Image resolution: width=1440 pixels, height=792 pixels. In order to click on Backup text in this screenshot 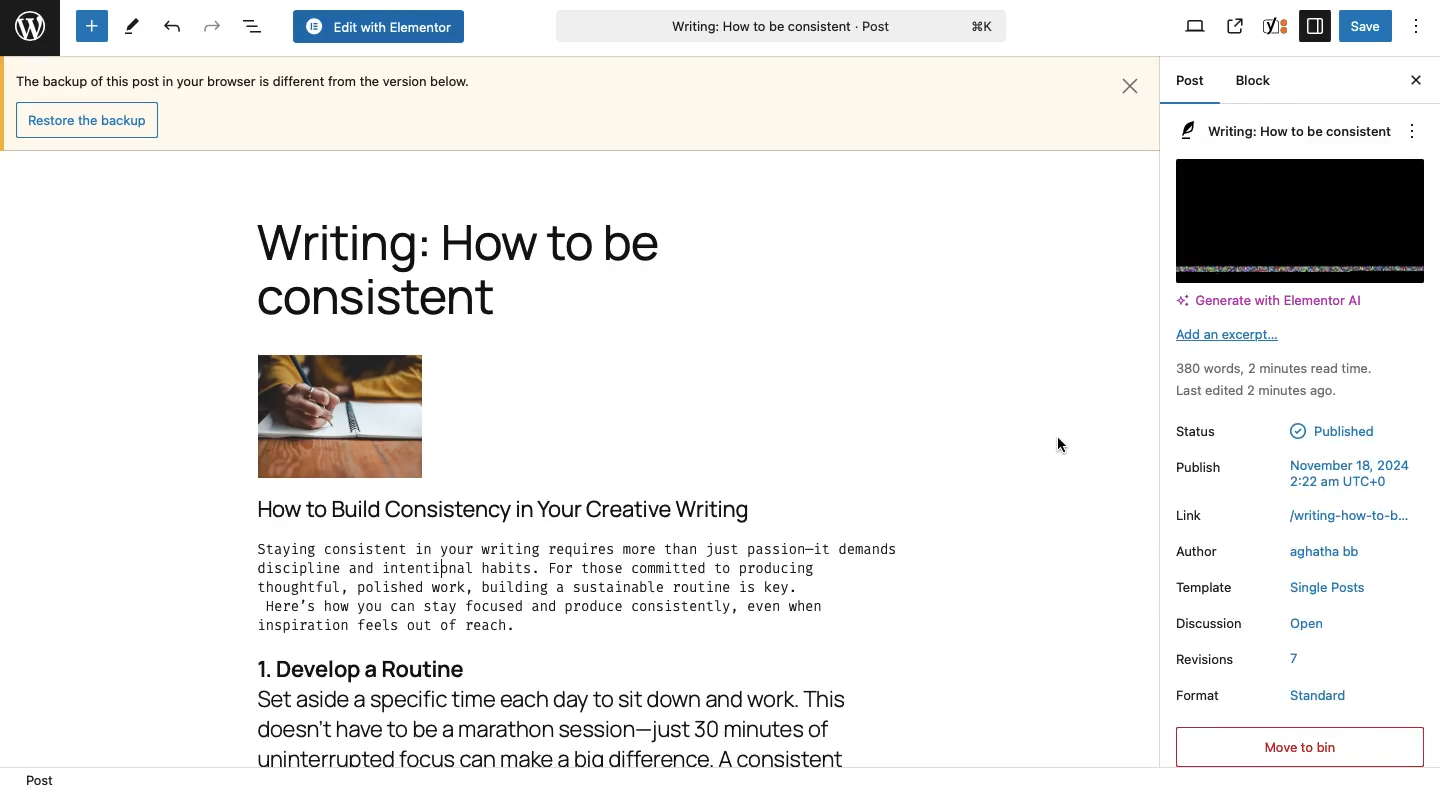, I will do `click(247, 80)`.